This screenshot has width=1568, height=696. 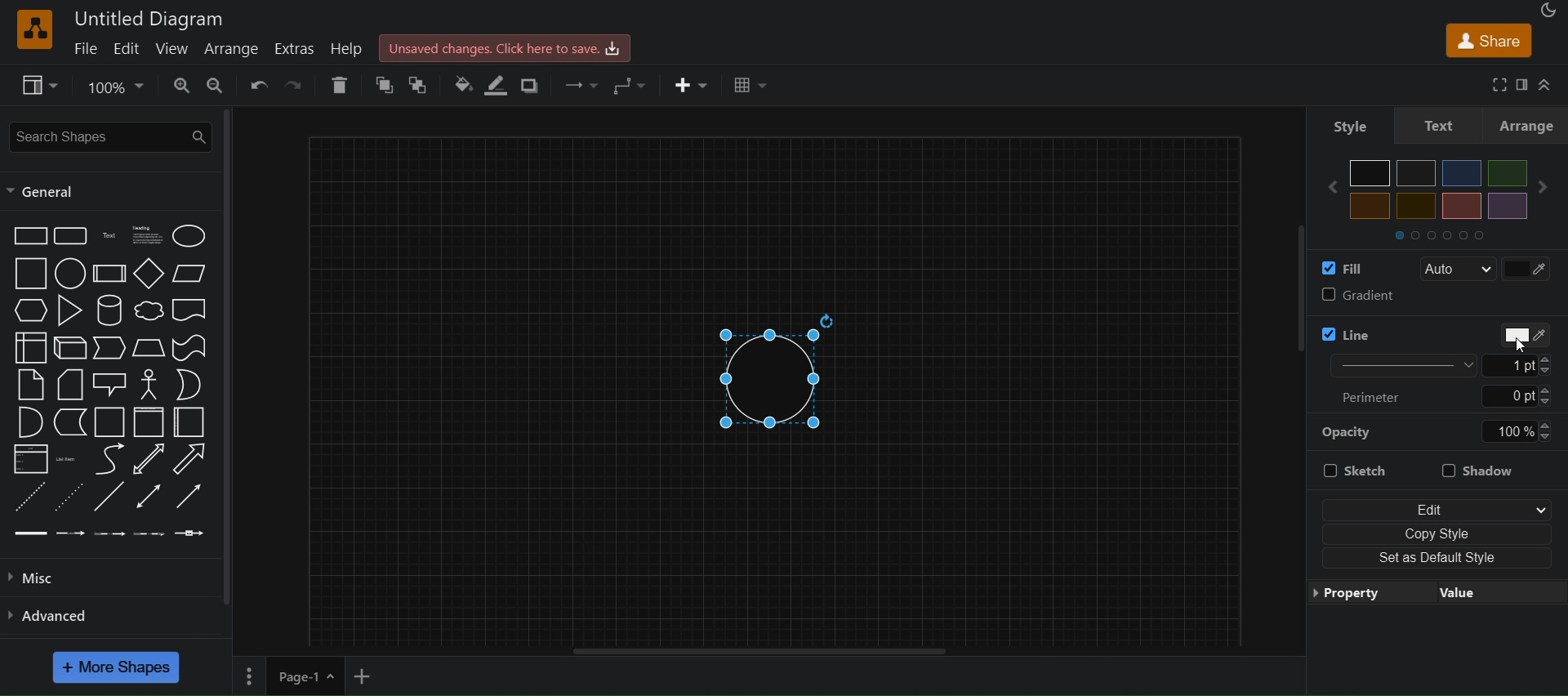 I want to click on view, so click(x=173, y=48).